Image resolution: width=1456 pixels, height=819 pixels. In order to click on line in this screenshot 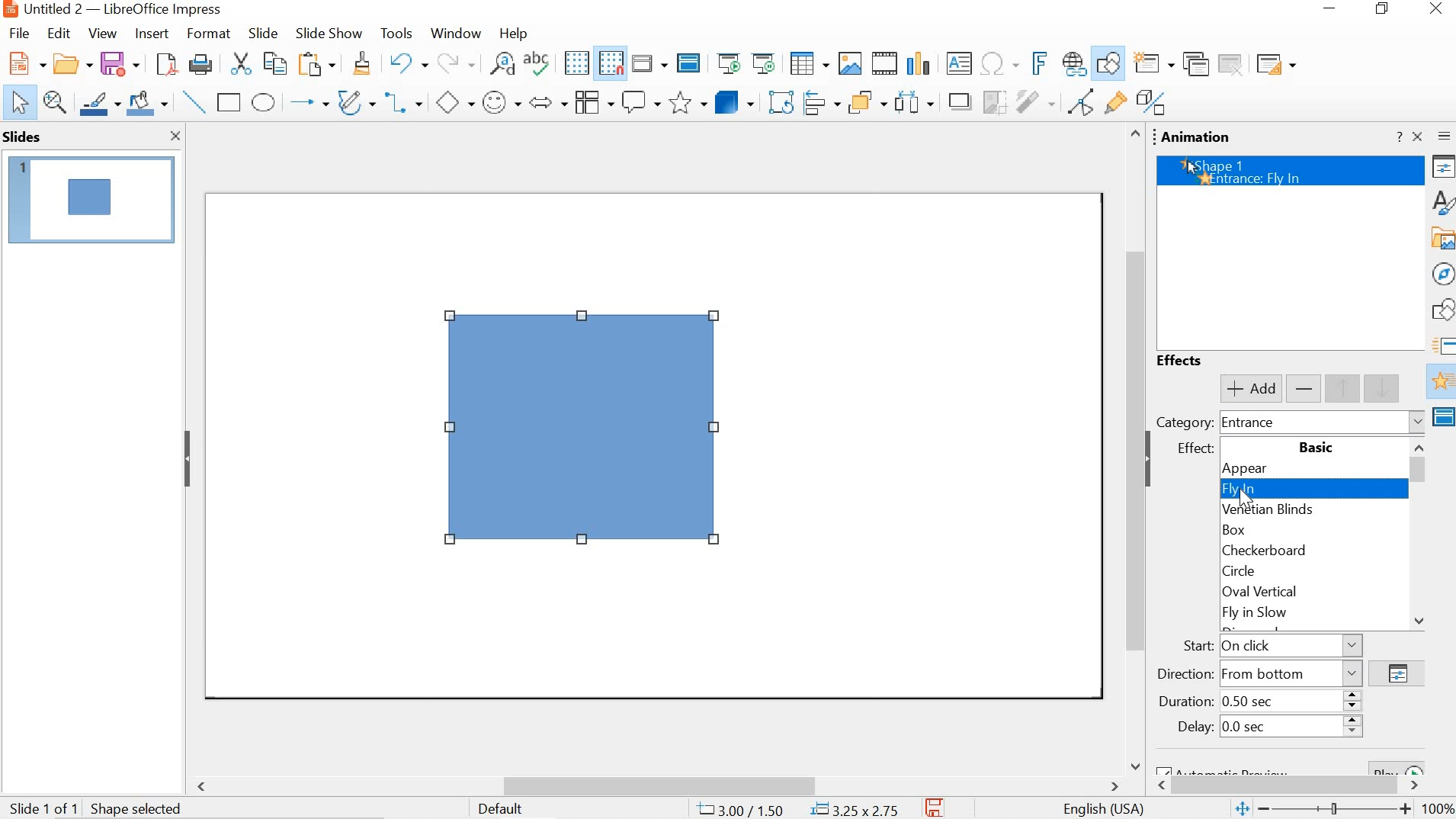, I will do `click(192, 101)`.